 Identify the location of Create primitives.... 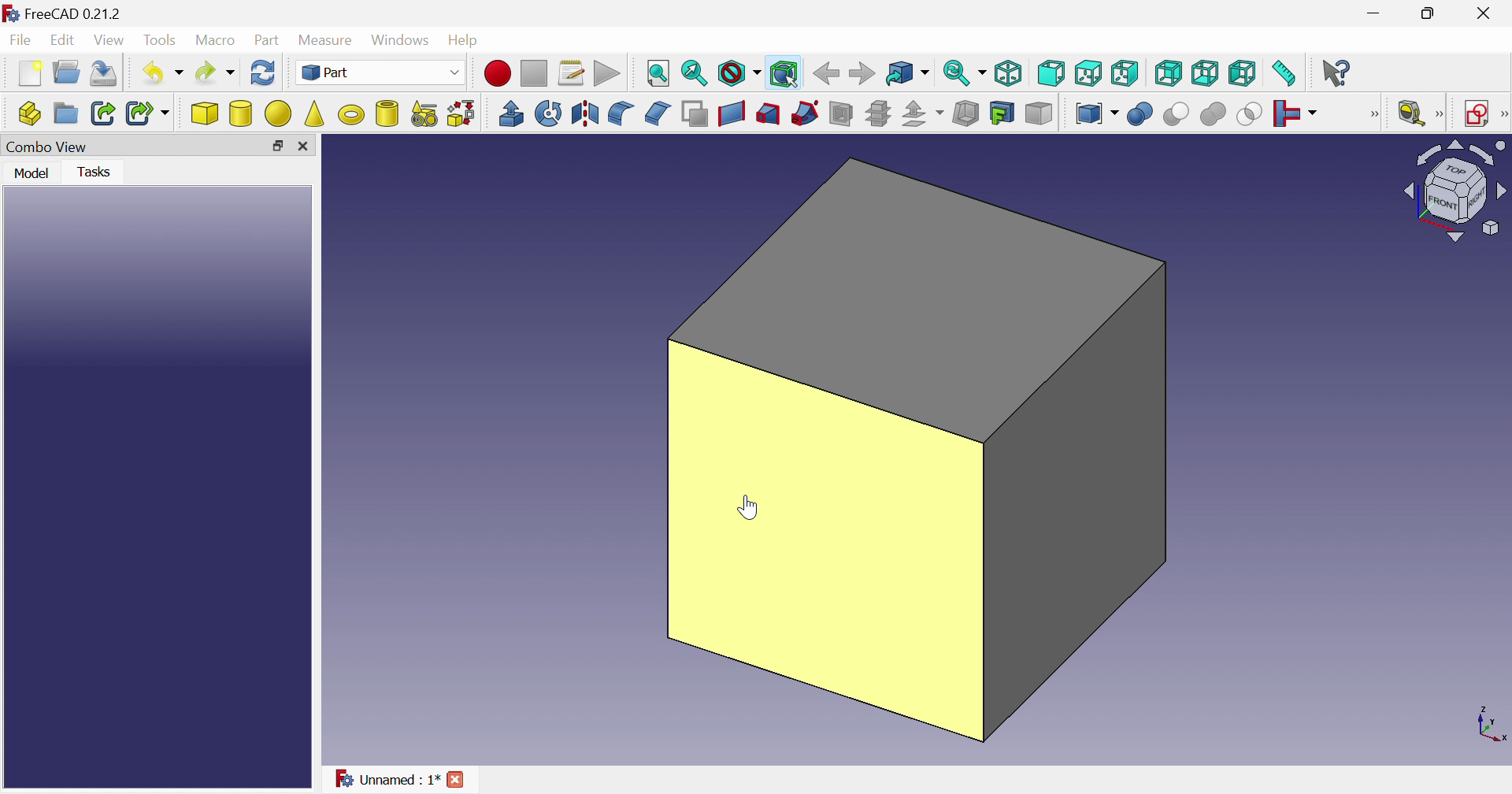
(424, 114).